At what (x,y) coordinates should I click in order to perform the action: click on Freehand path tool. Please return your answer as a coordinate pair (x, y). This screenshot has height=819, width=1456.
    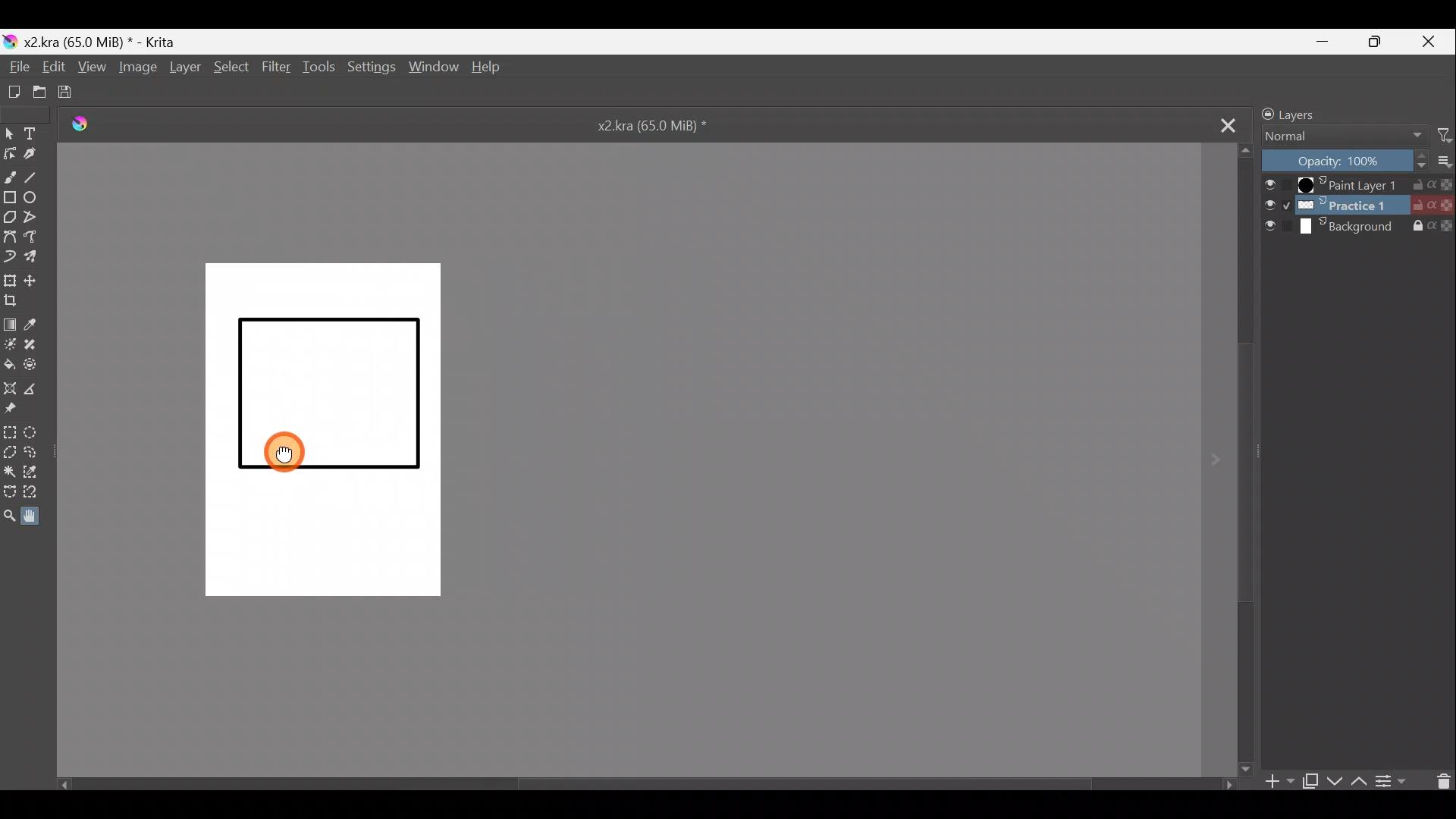
    Looking at the image, I should click on (35, 238).